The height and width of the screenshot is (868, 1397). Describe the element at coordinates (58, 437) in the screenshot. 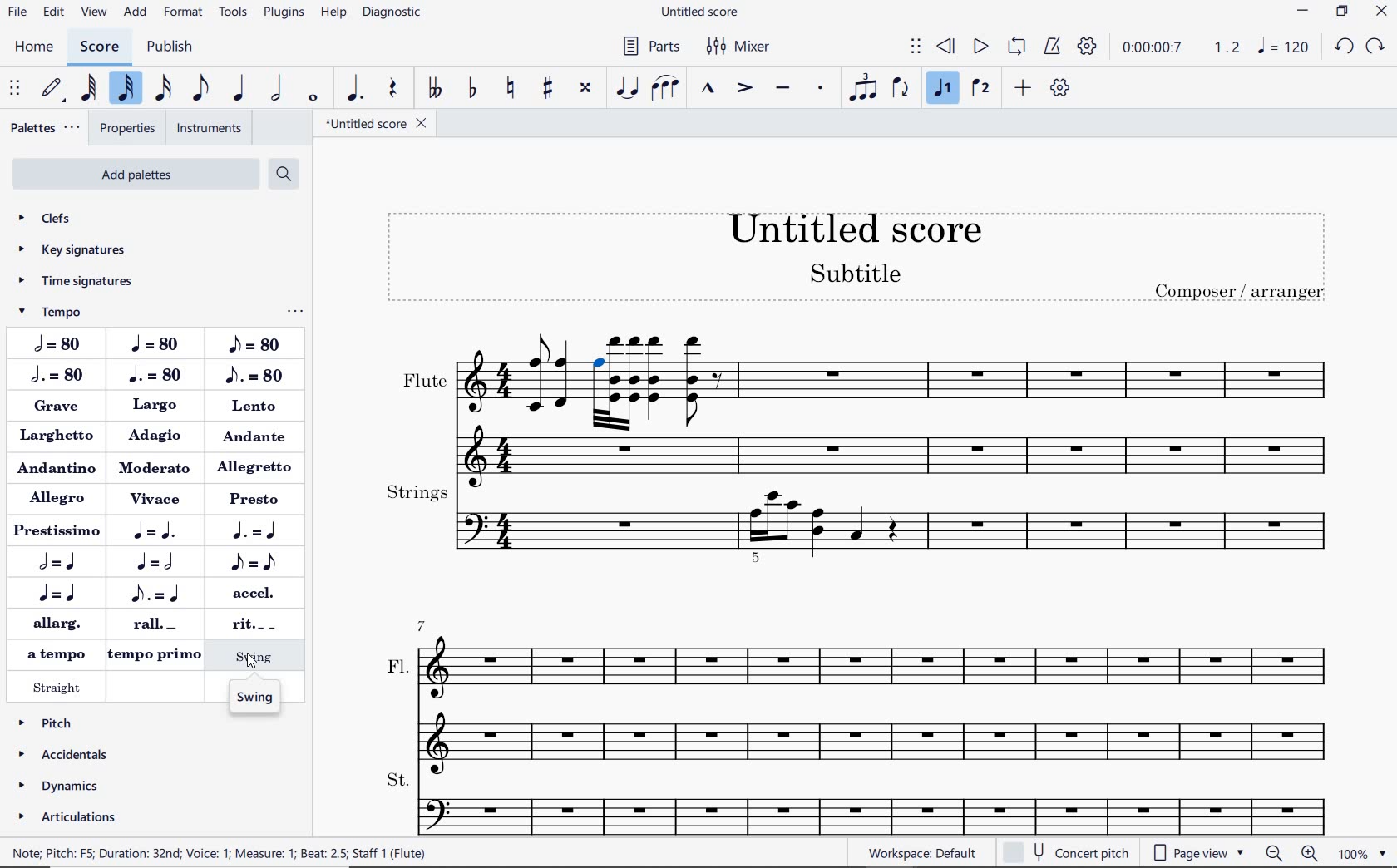

I see `LARGHETTO` at that location.